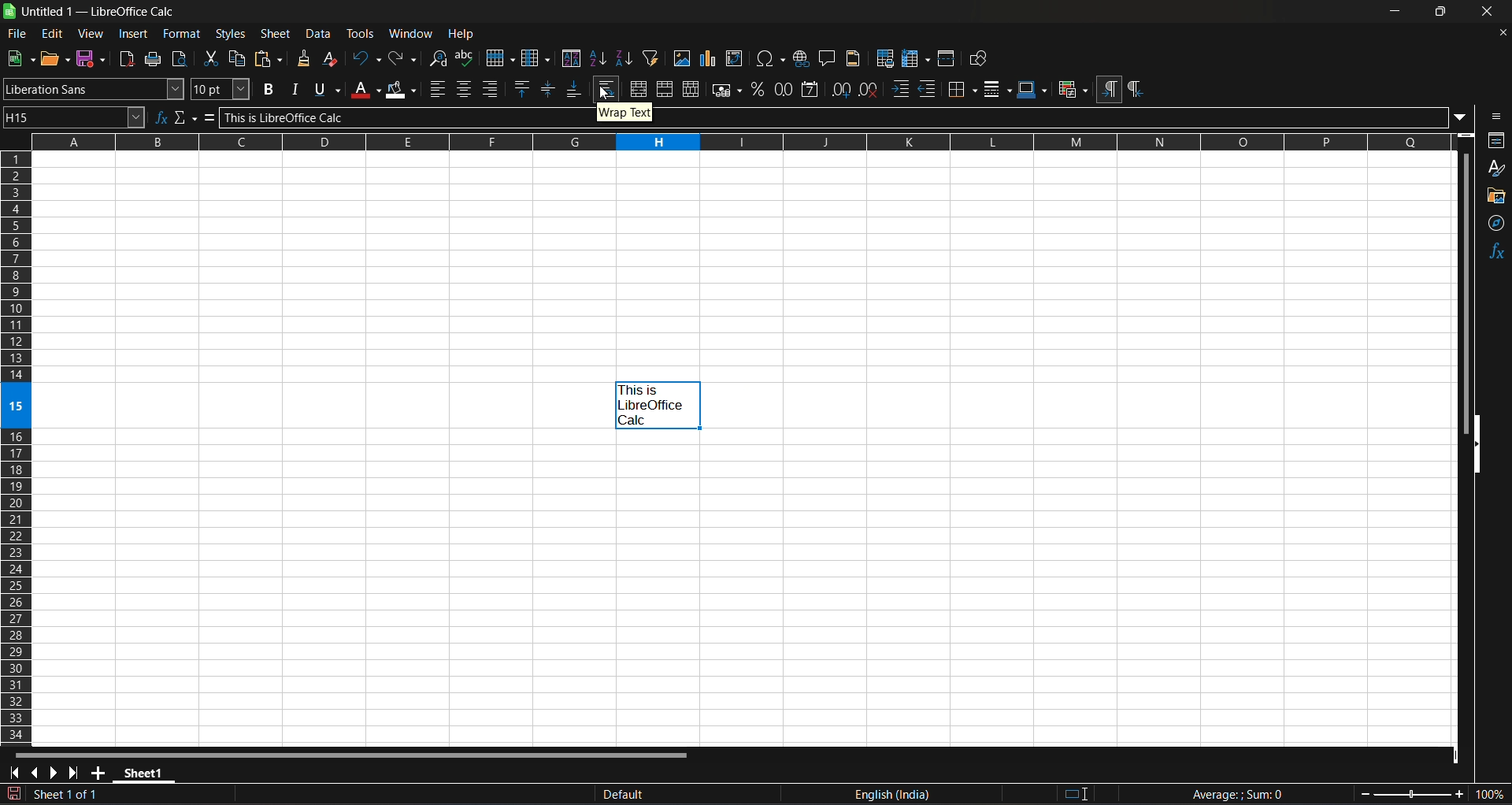  What do you see at coordinates (1140, 90) in the screenshot?
I see `right to left` at bounding box center [1140, 90].